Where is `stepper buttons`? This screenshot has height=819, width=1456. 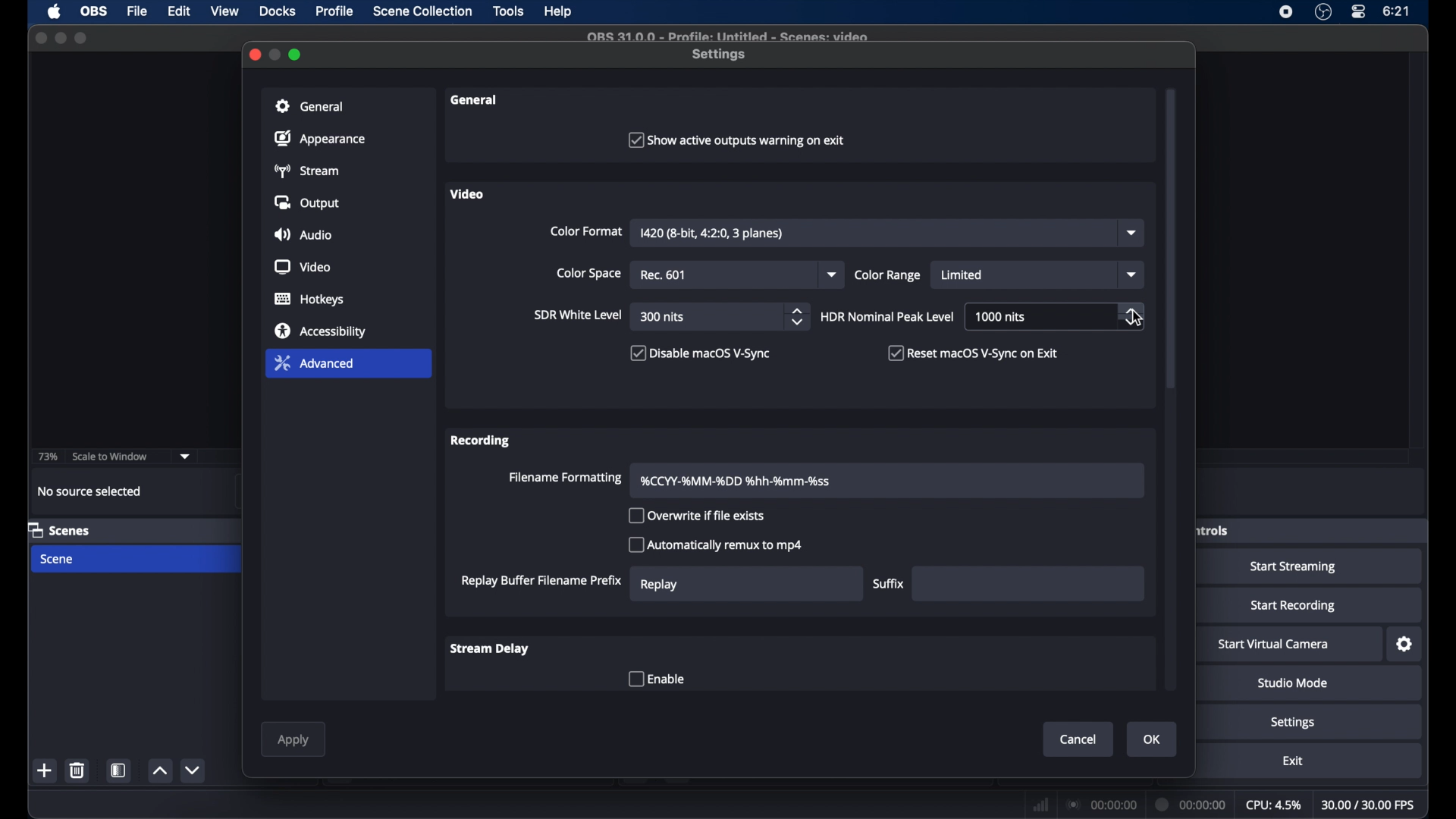 stepper buttons is located at coordinates (799, 317).